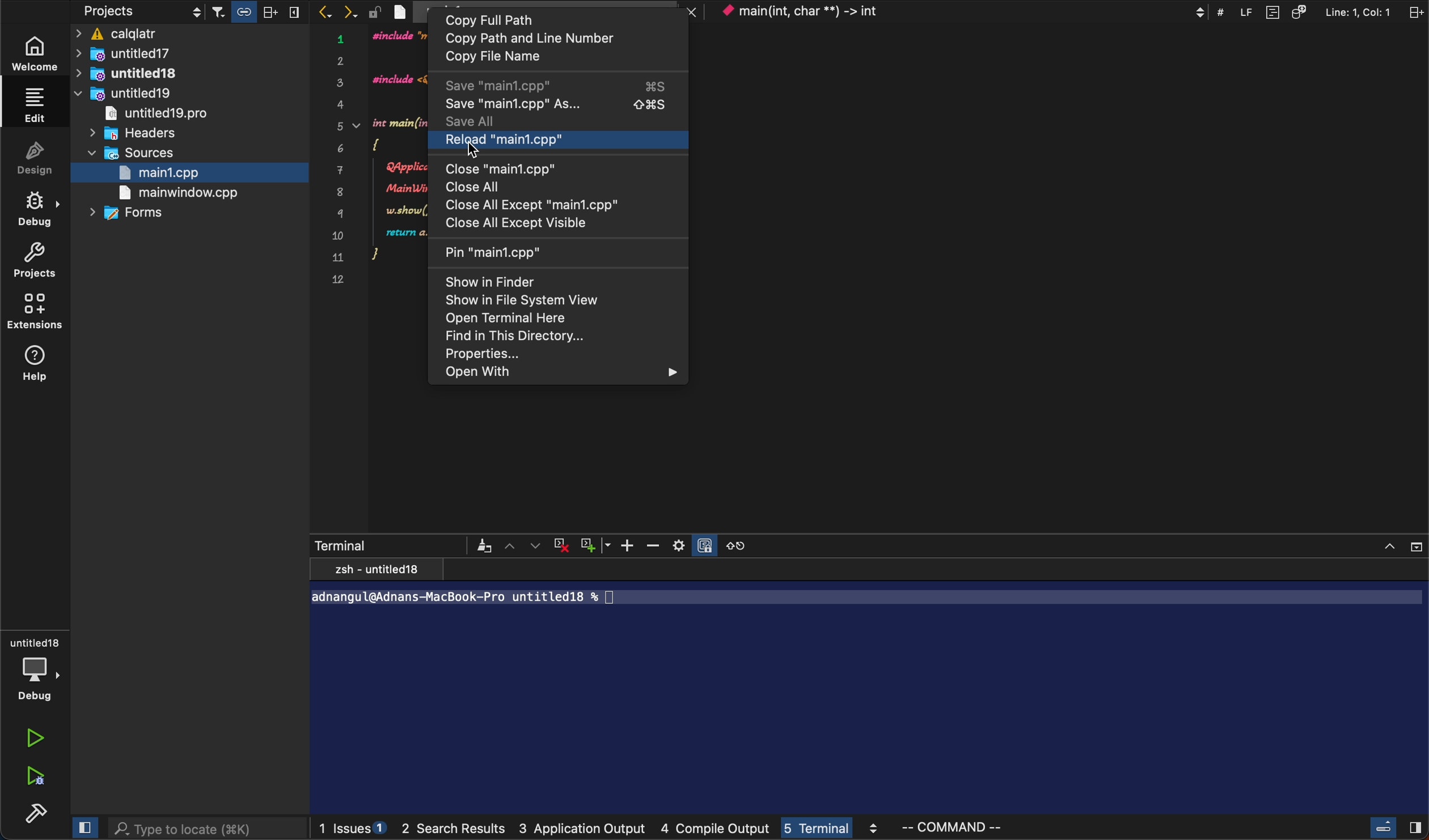 The width and height of the screenshot is (1429, 840). I want to click on design, so click(33, 159).